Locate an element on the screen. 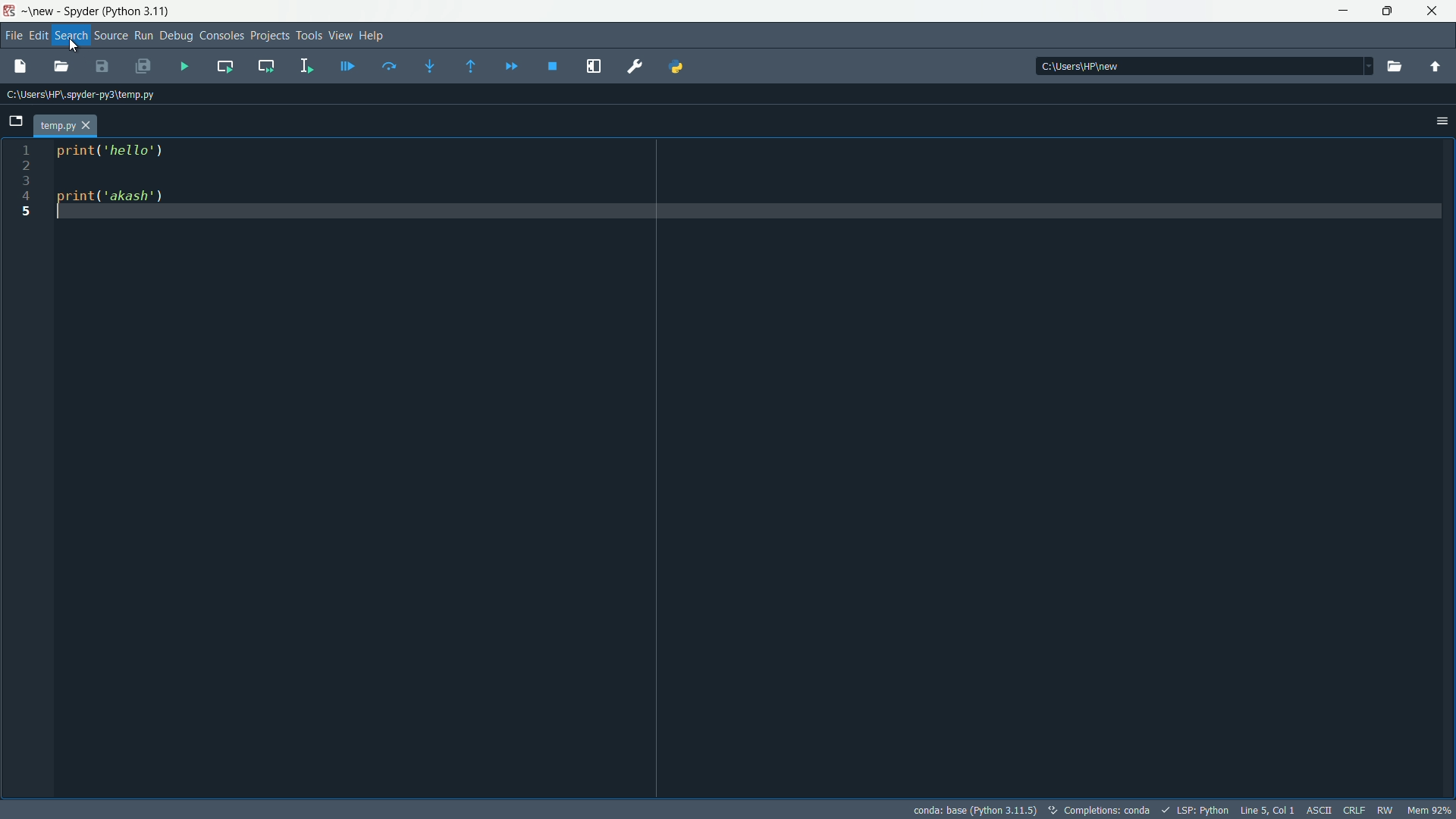 Image resolution: width=1456 pixels, height=819 pixels. app name is located at coordinates (80, 12).